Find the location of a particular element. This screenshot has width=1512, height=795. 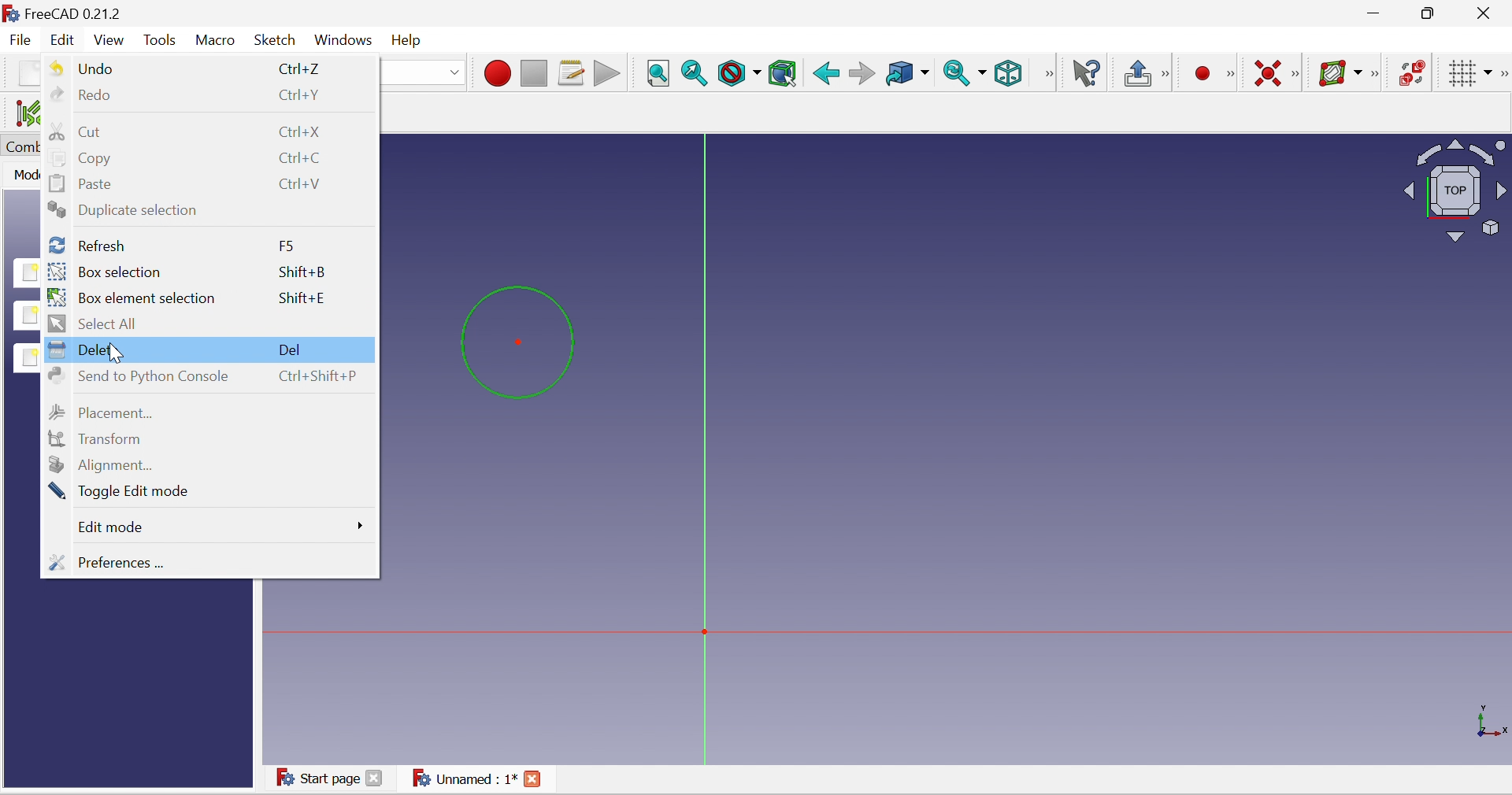

[Sketcher geometries] is located at coordinates (1229, 72).